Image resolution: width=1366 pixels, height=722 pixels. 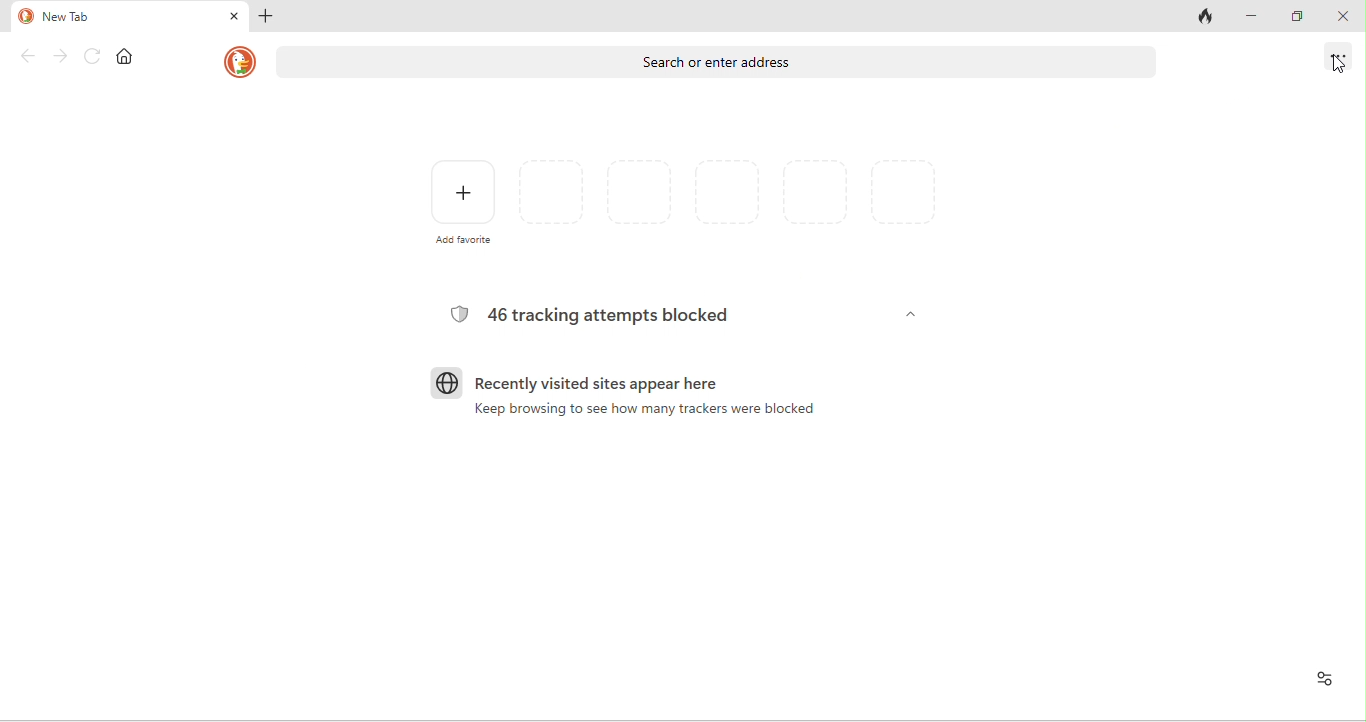 What do you see at coordinates (1337, 64) in the screenshot?
I see `cursor` at bounding box center [1337, 64].